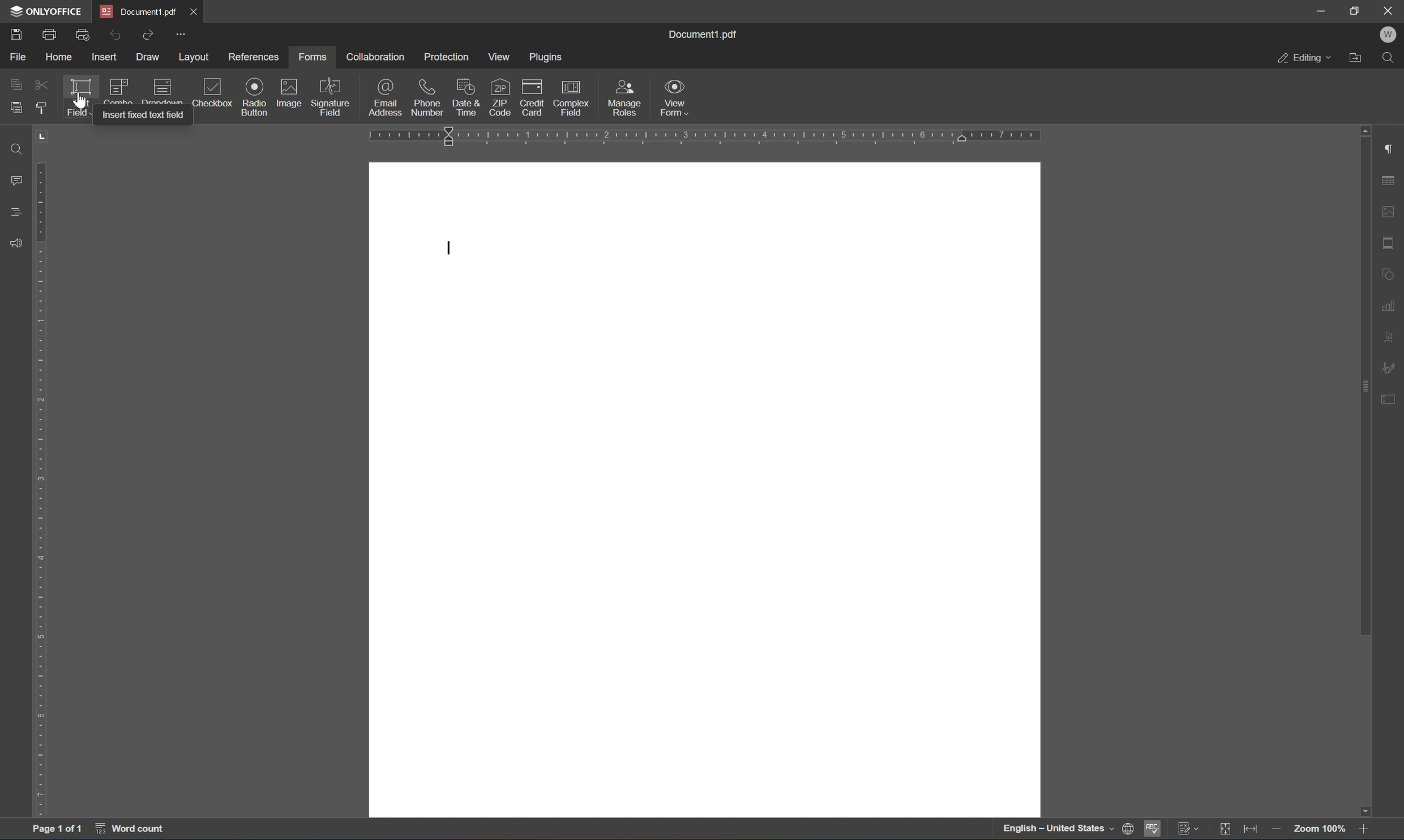 The image size is (1404, 840). What do you see at coordinates (1356, 59) in the screenshot?
I see `open file location` at bounding box center [1356, 59].